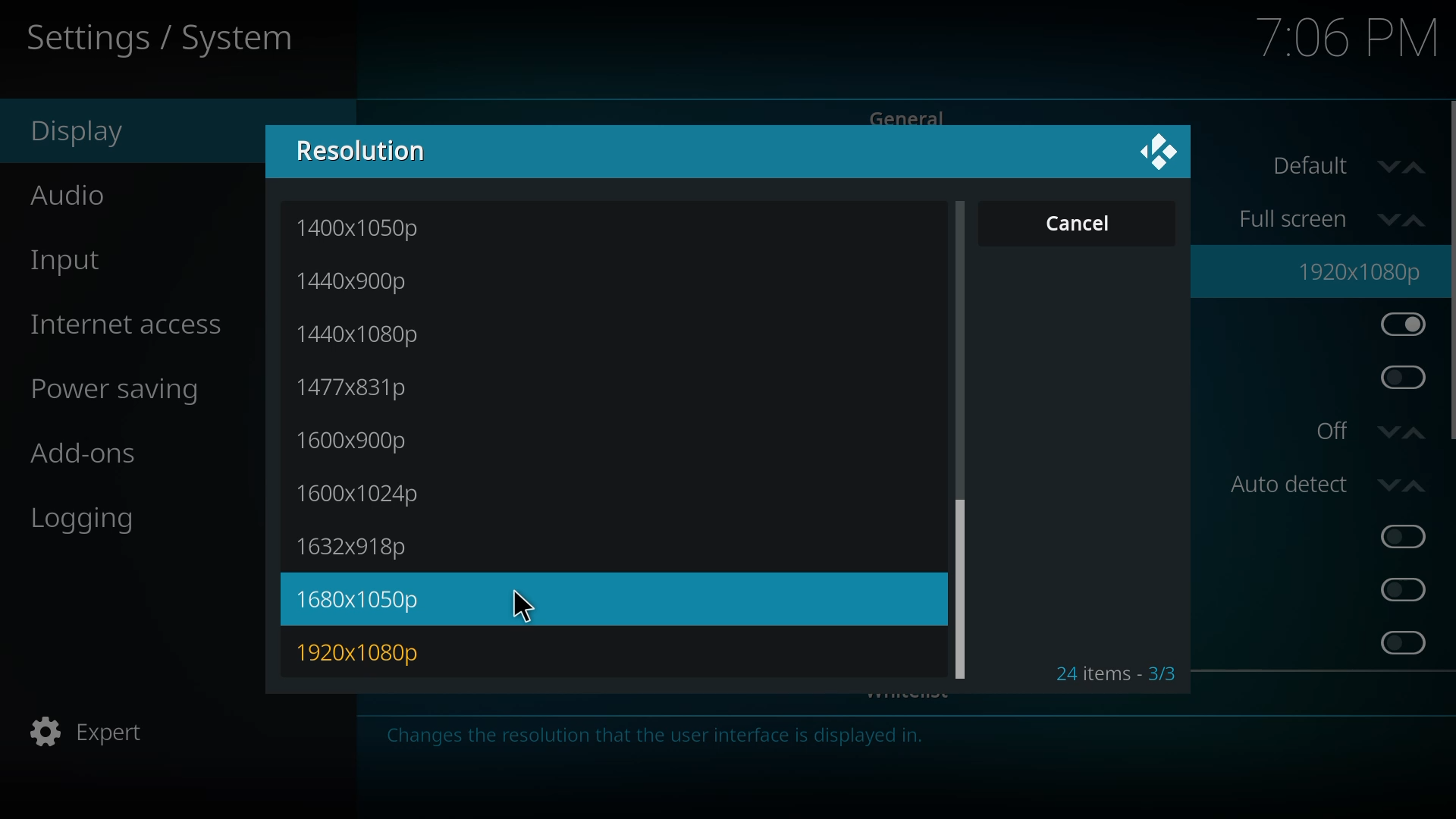 The image size is (1456, 819). I want to click on 1400, so click(362, 229).